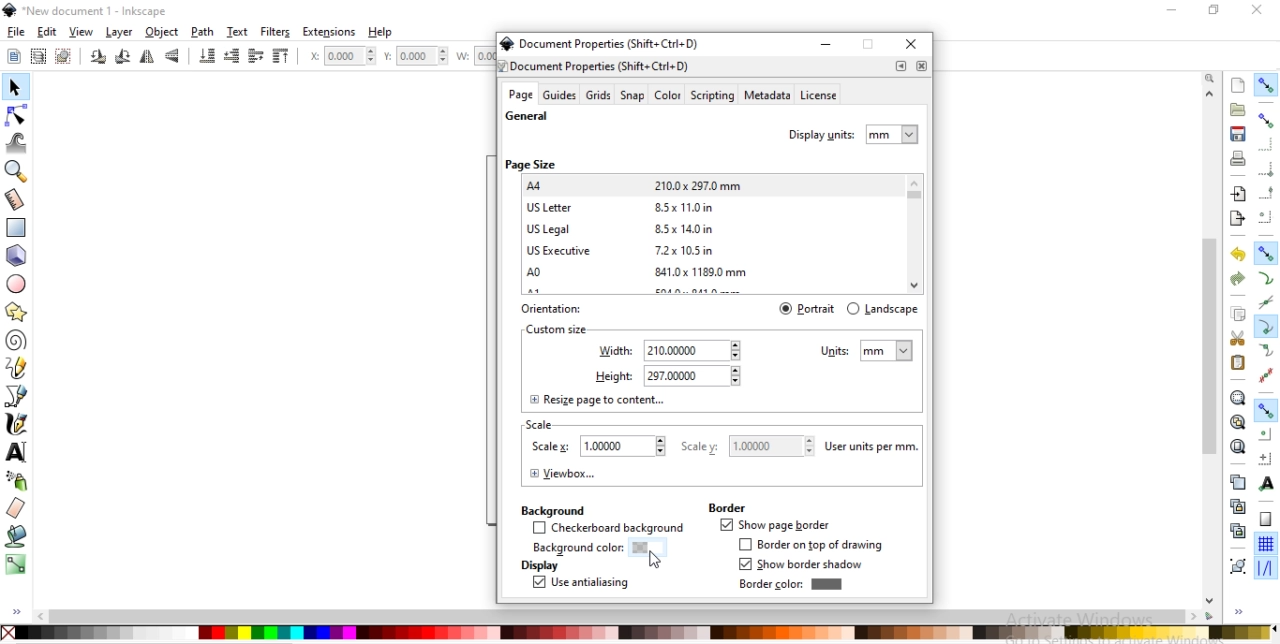 This screenshot has height=644, width=1280. I want to click on tweak objects by sculpting or painting, so click(18, 142).